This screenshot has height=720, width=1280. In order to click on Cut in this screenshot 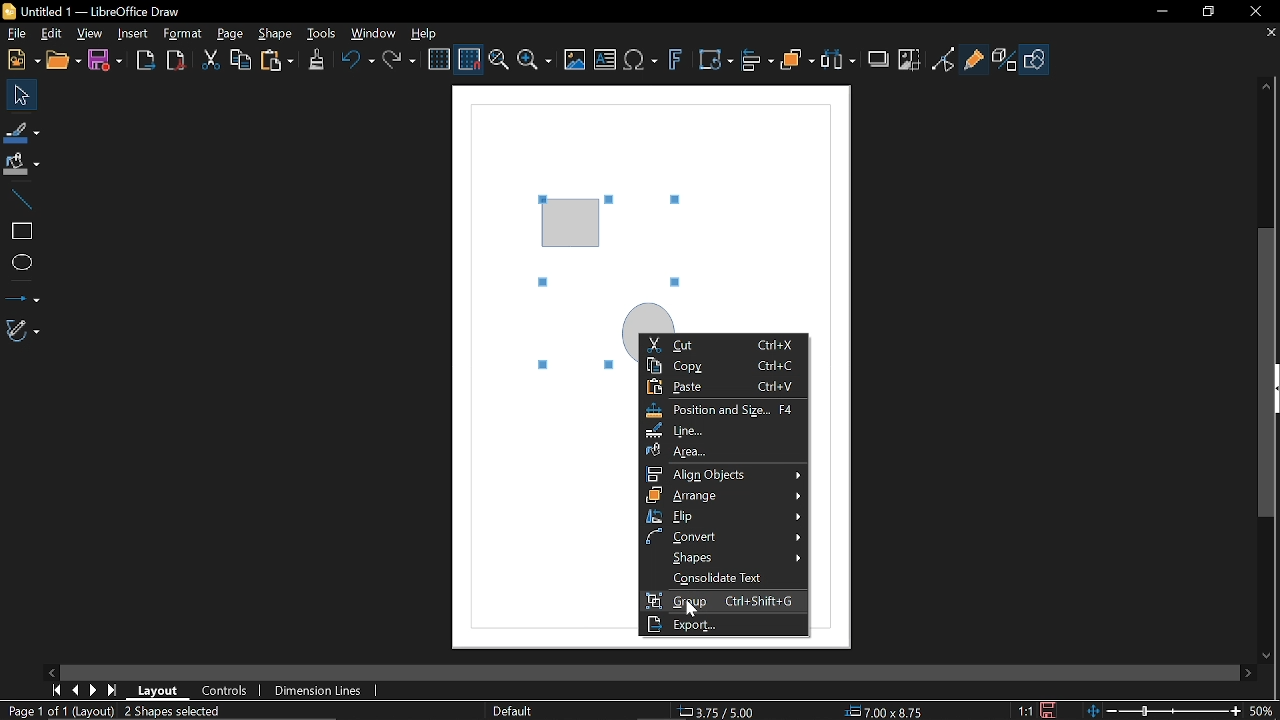, I will do `click(207, 60)`.